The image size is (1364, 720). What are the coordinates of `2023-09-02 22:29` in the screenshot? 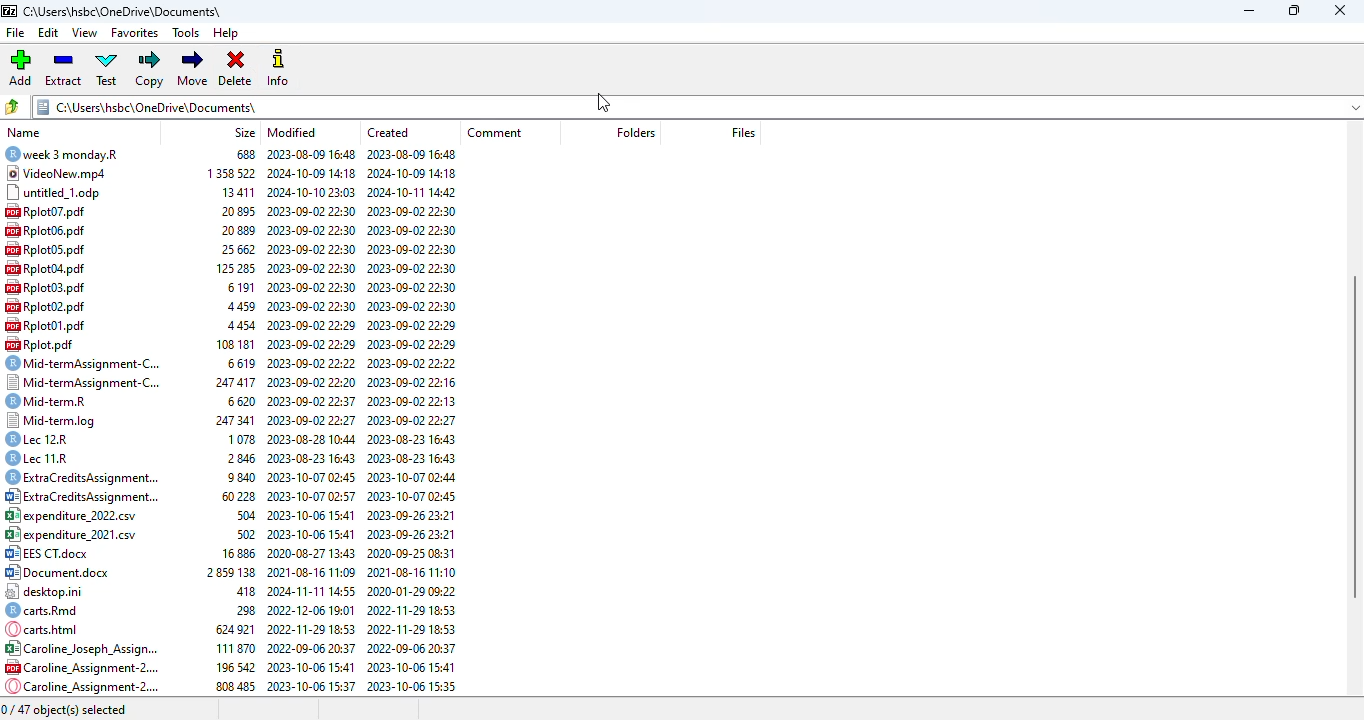 It's located at (411, 324).